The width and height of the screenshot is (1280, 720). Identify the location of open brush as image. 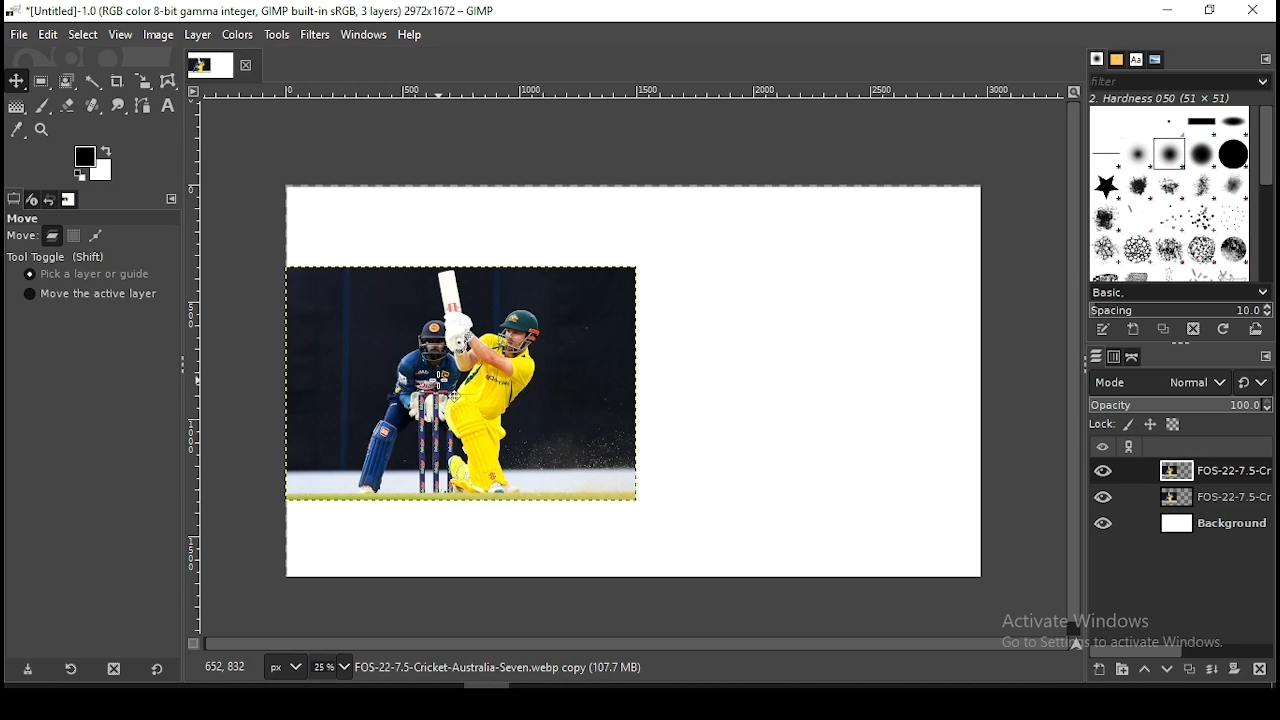
(1258, 329).